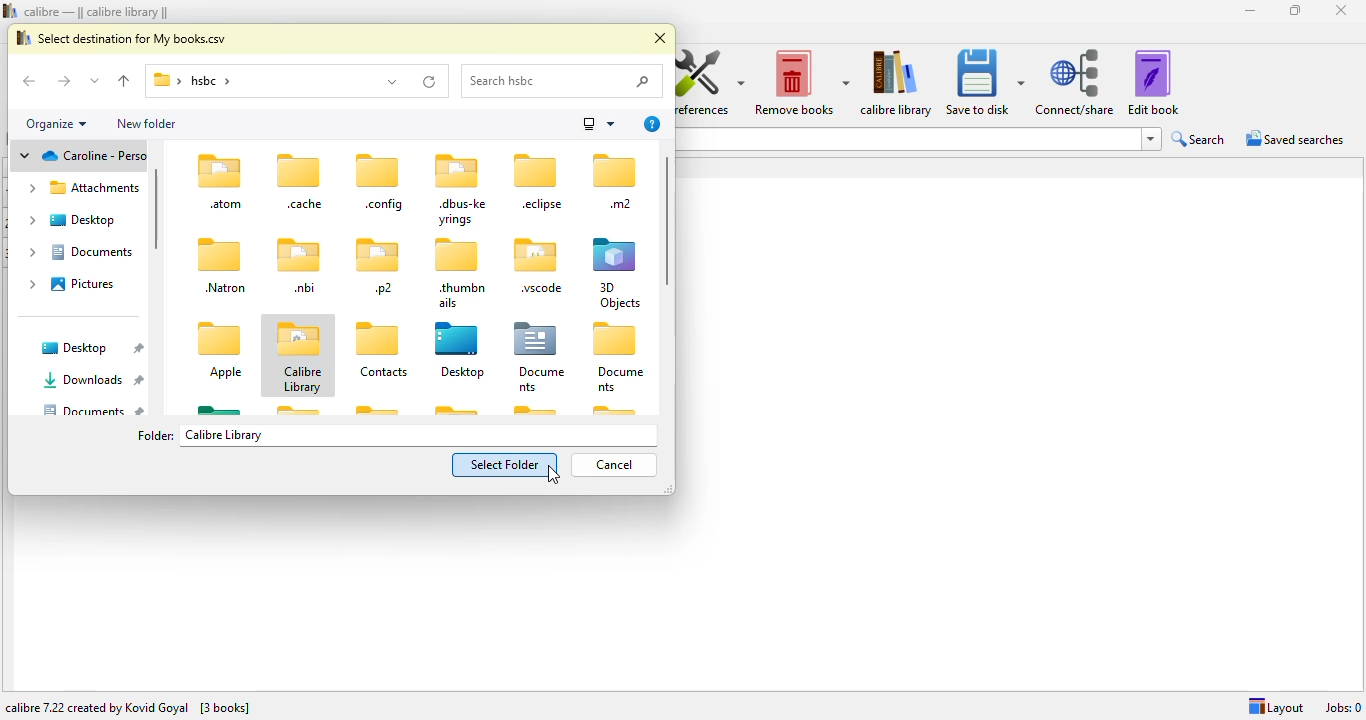  I want to click on previous locations, so click(392, 80).